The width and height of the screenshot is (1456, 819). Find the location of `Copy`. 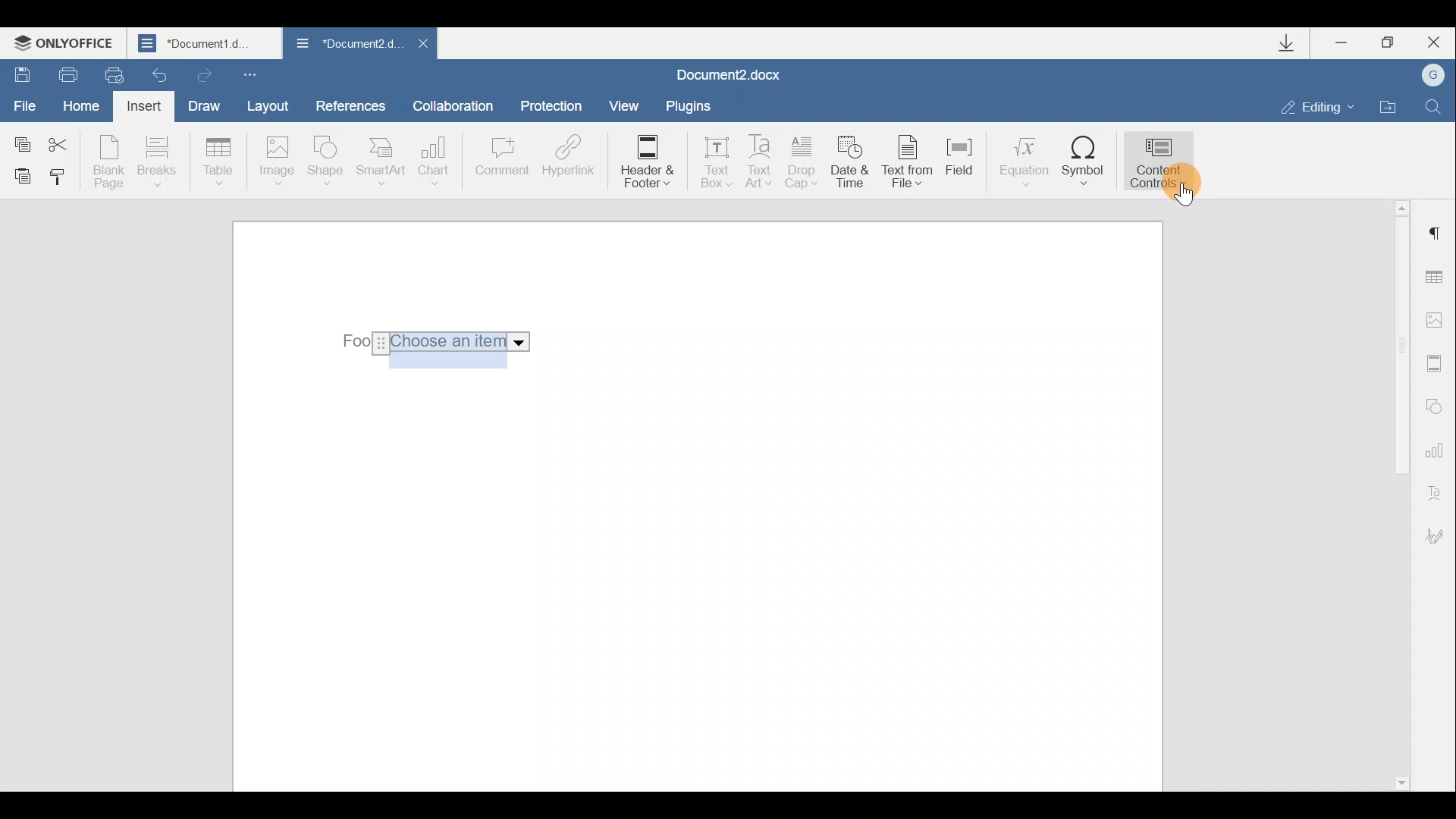

Copy is located at coordinates (21, 141).